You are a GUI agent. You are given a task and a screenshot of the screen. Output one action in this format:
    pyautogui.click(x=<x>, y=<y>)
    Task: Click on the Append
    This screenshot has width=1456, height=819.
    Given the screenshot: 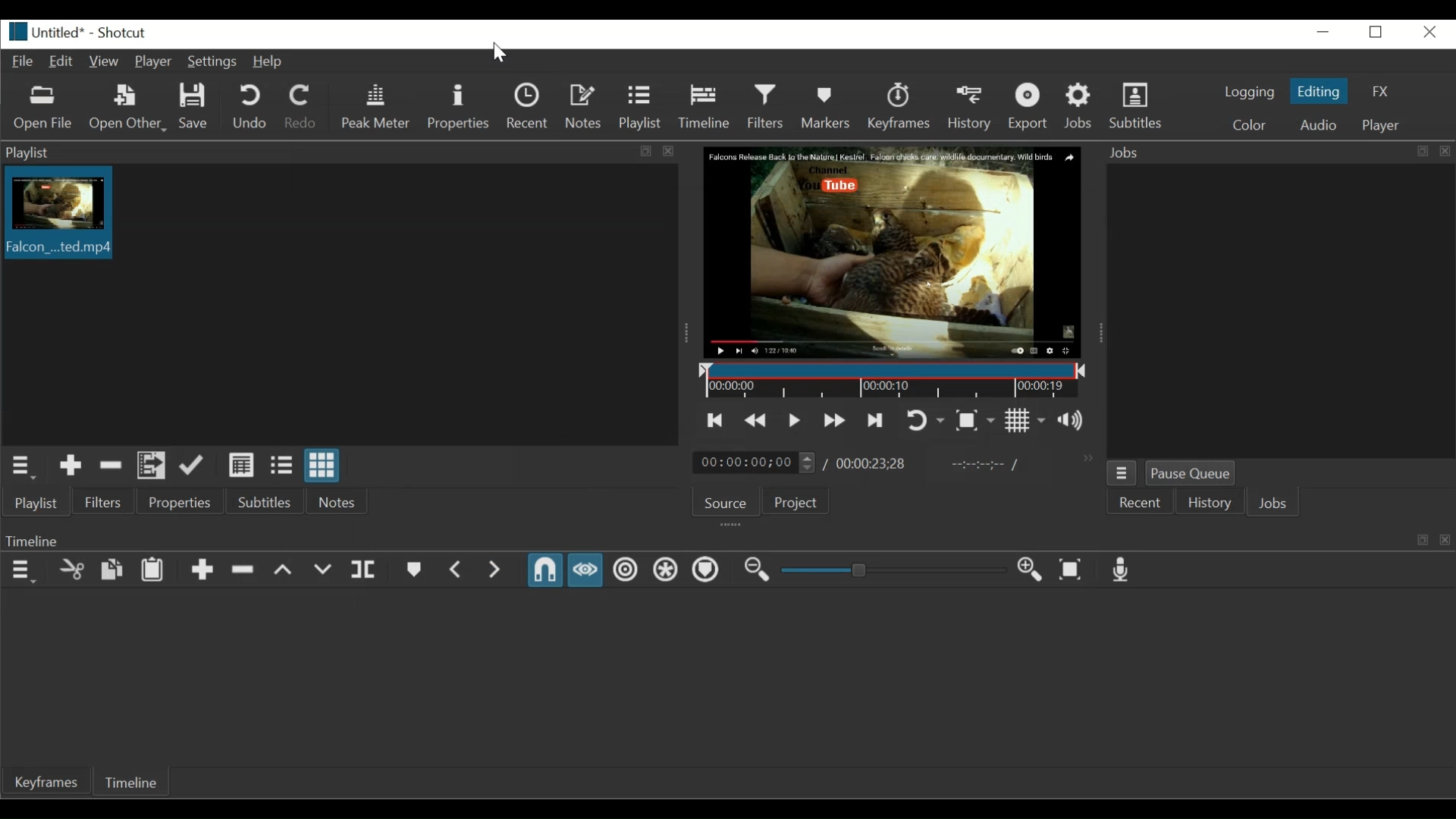 What is the action you would take?
    pyautogui.click(x=202, y=571)
    